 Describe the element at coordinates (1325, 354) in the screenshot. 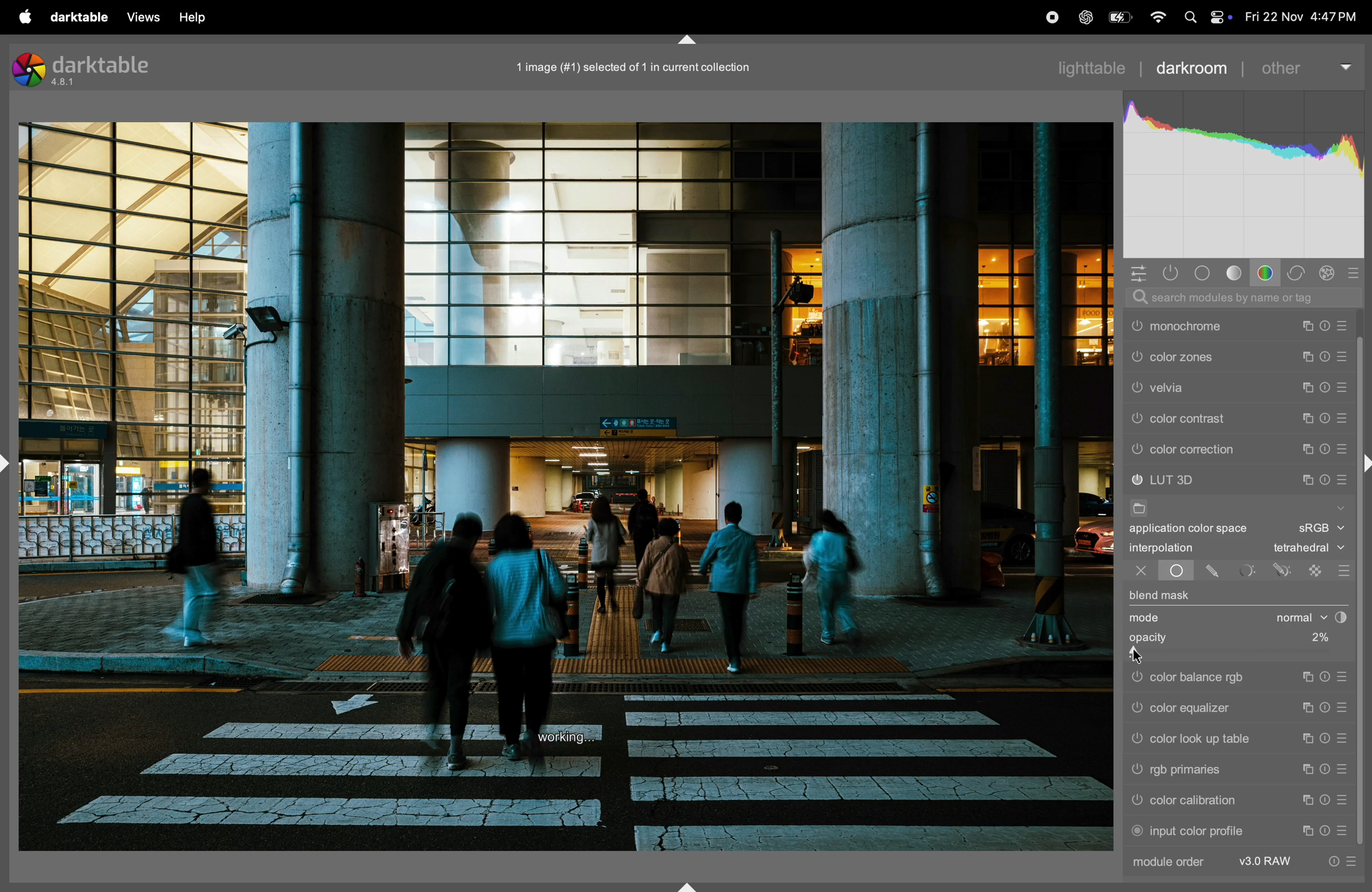

I see `reset` at that location.